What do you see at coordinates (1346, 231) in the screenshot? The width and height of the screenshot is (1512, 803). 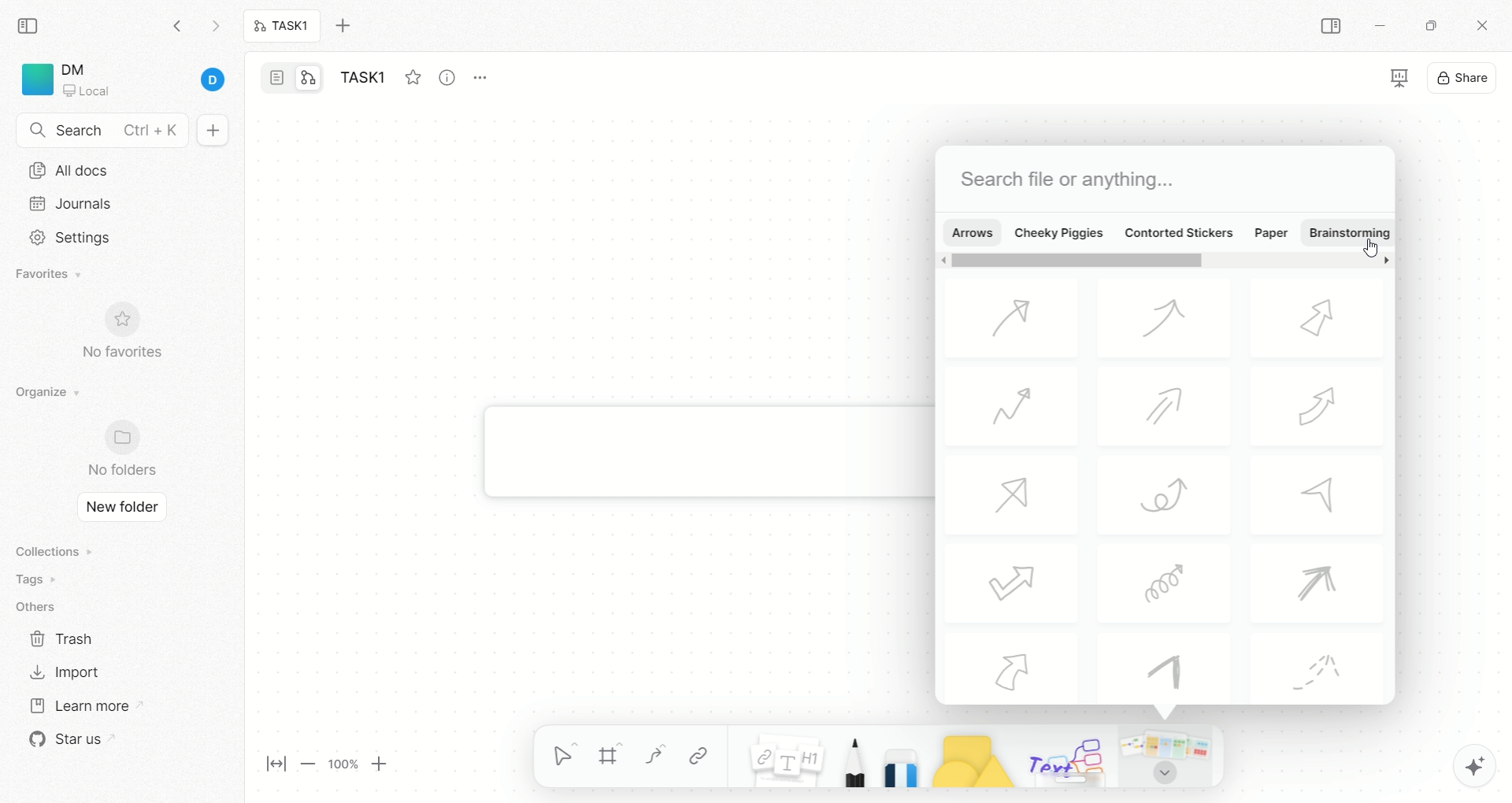 I see `brainstorming` at bounding box center [1346, 231].